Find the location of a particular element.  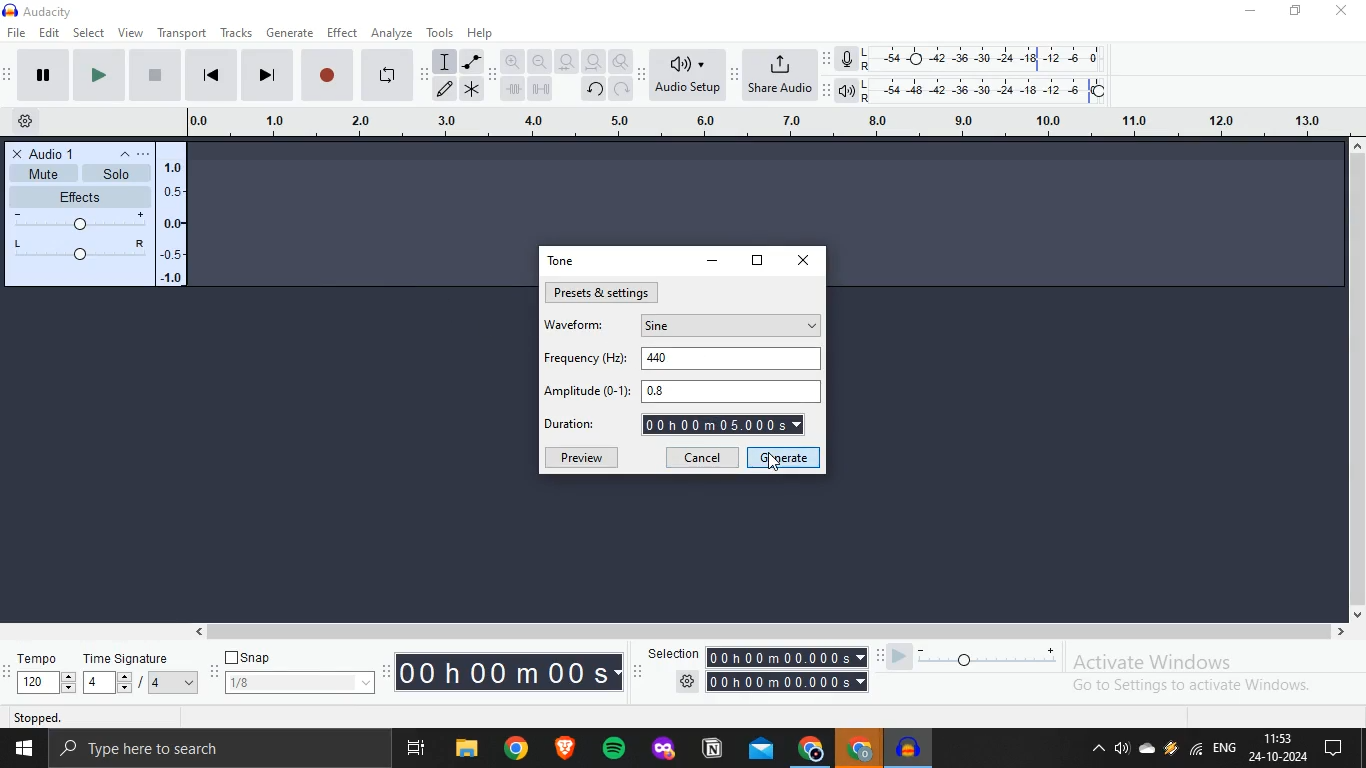

Tracks is located at coordinates (236, 33).